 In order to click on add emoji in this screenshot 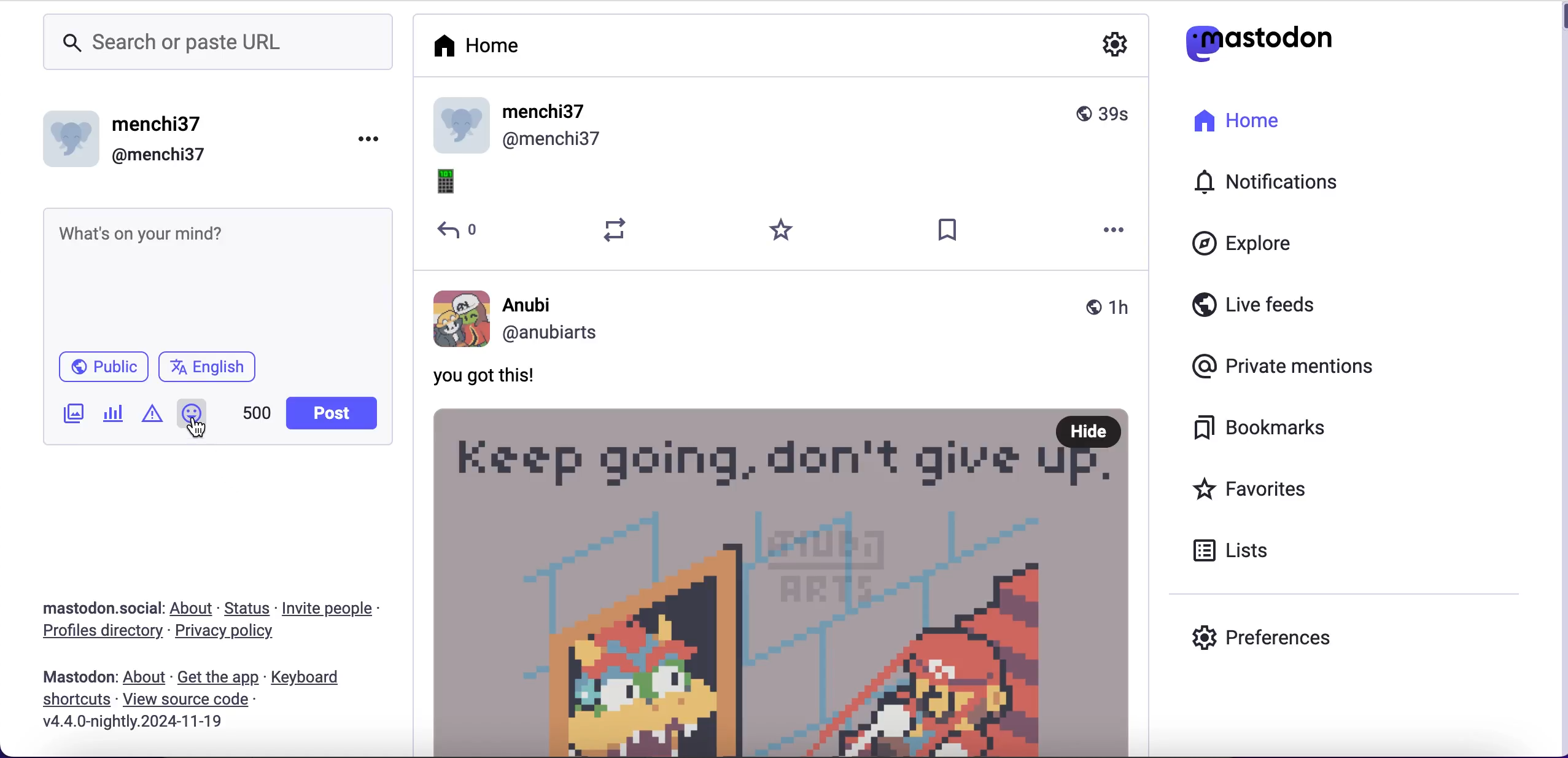, I will do `click(192, 407)`.